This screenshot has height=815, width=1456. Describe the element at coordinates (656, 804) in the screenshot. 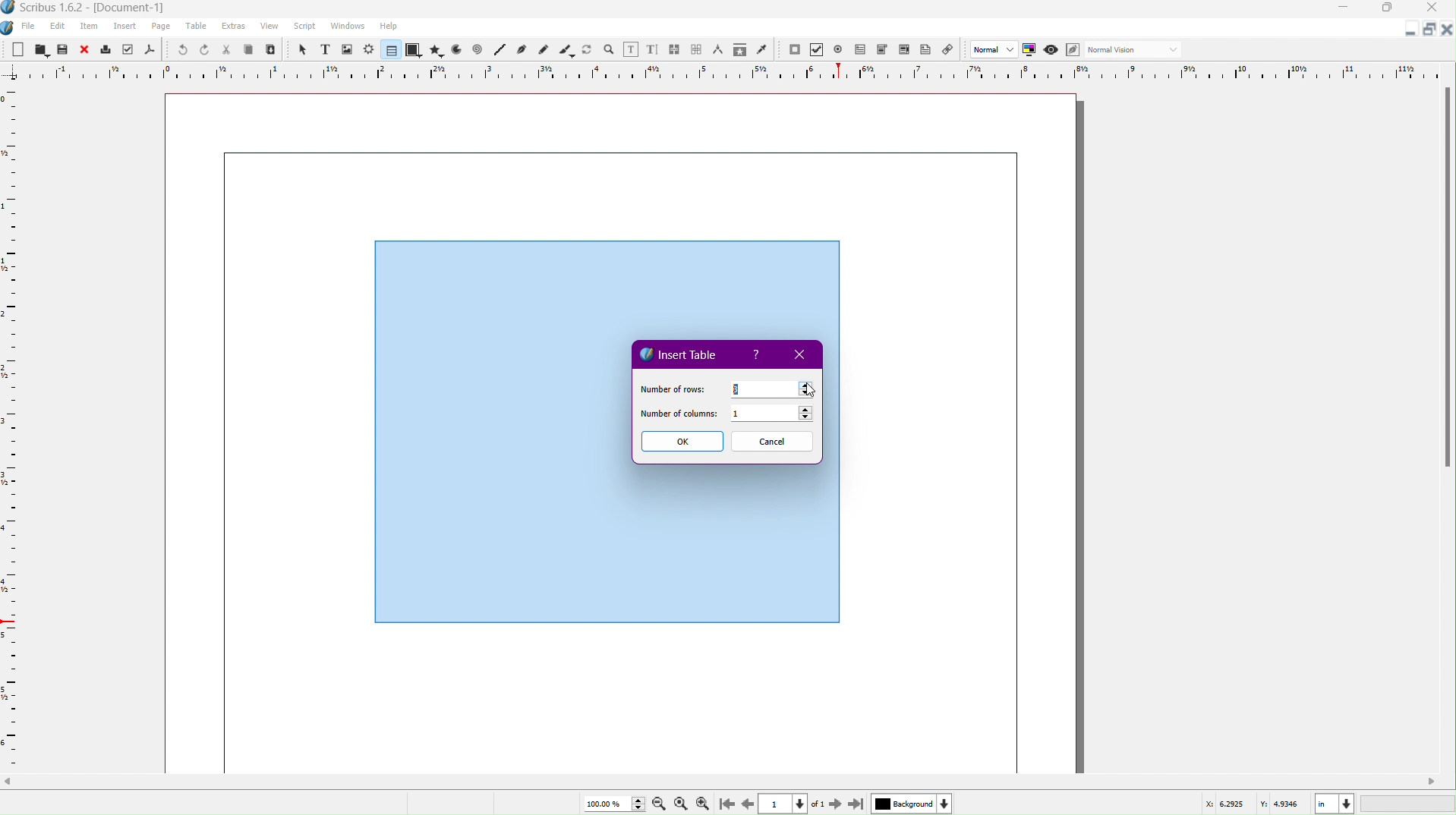

I see `Zoom Out` at that location.